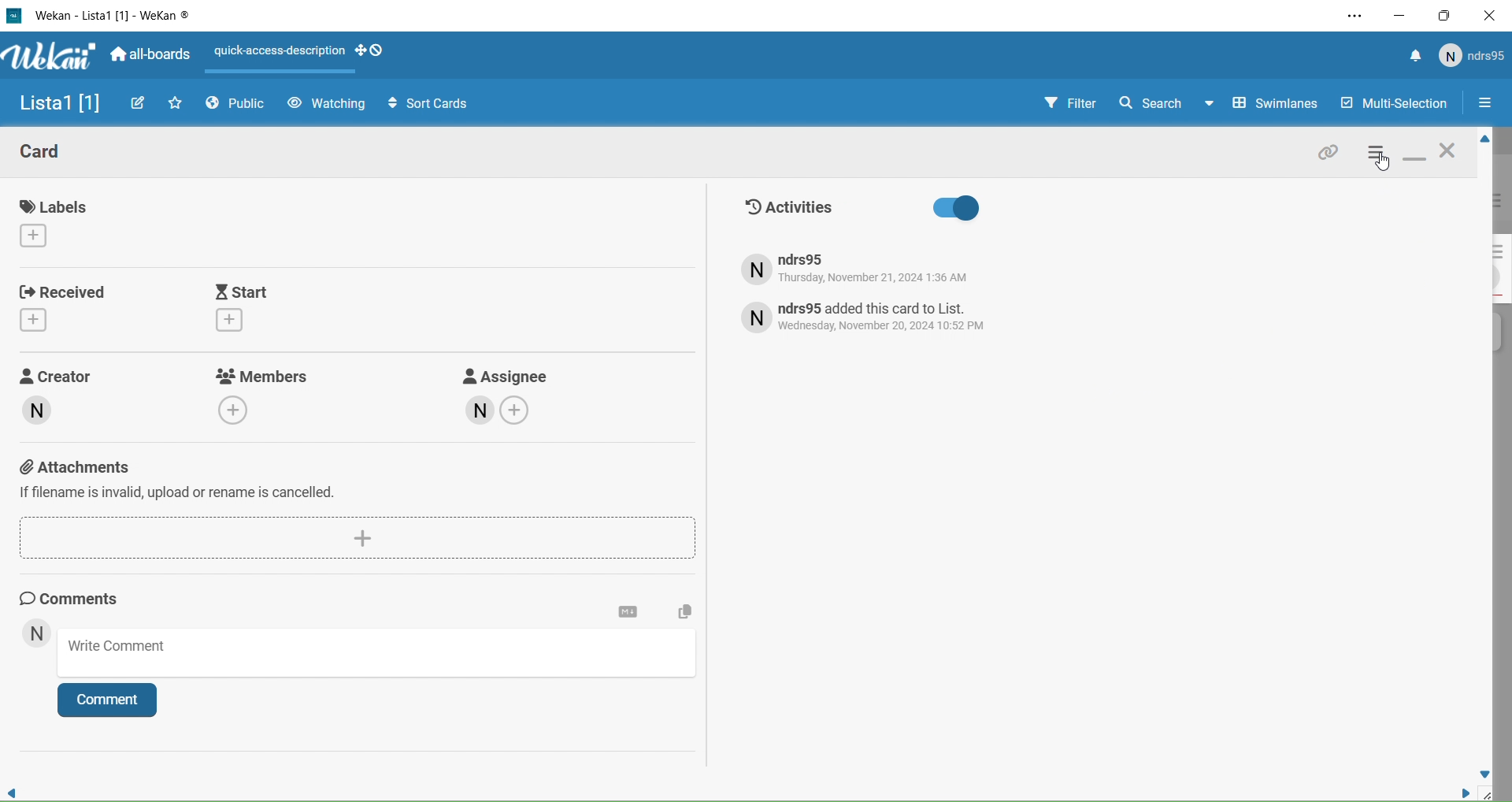  I want to click on List, so click(57, 106).